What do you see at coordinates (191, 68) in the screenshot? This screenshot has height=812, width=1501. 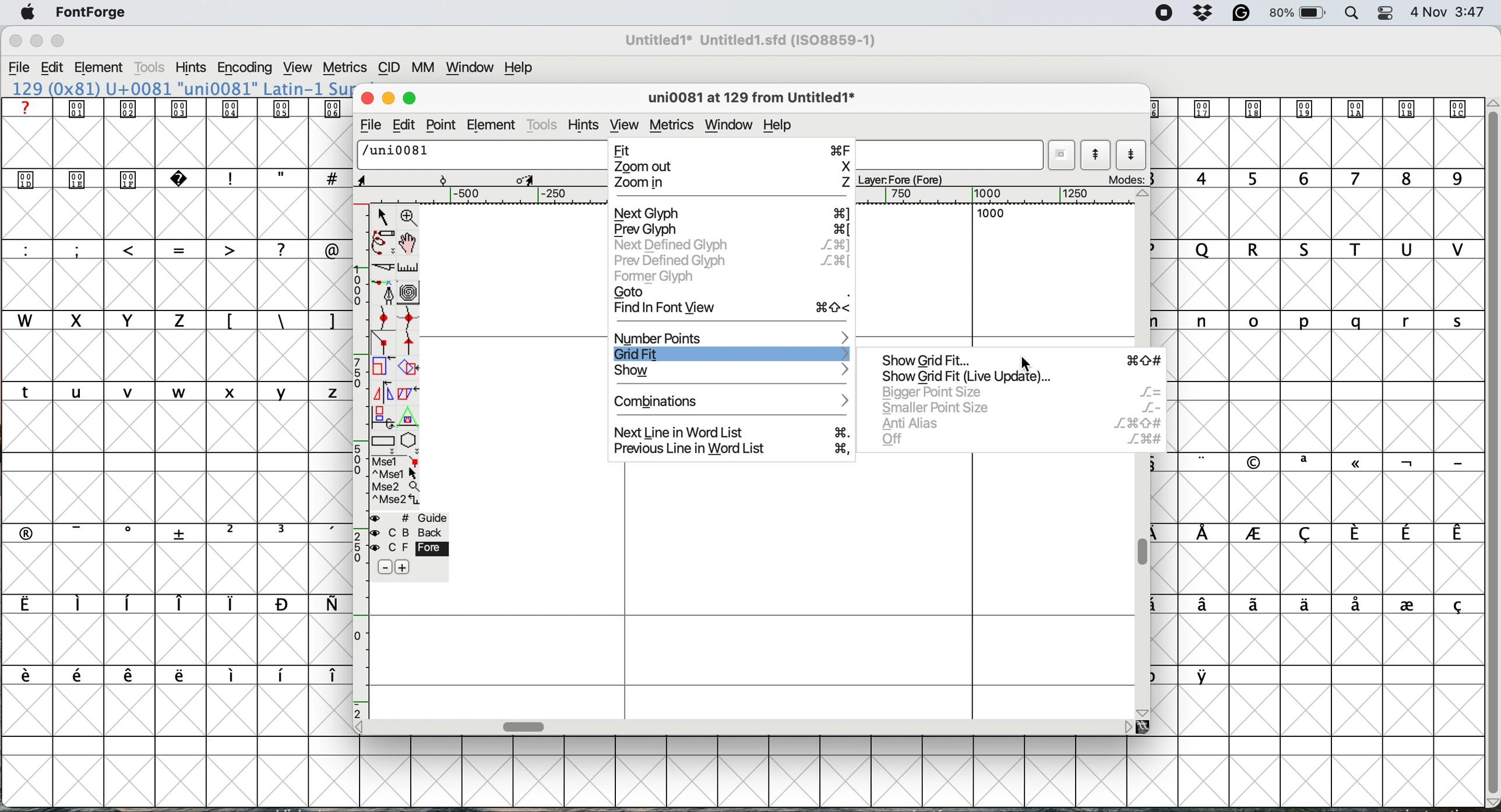 I see `Hints` at bounding box center [191, 68].